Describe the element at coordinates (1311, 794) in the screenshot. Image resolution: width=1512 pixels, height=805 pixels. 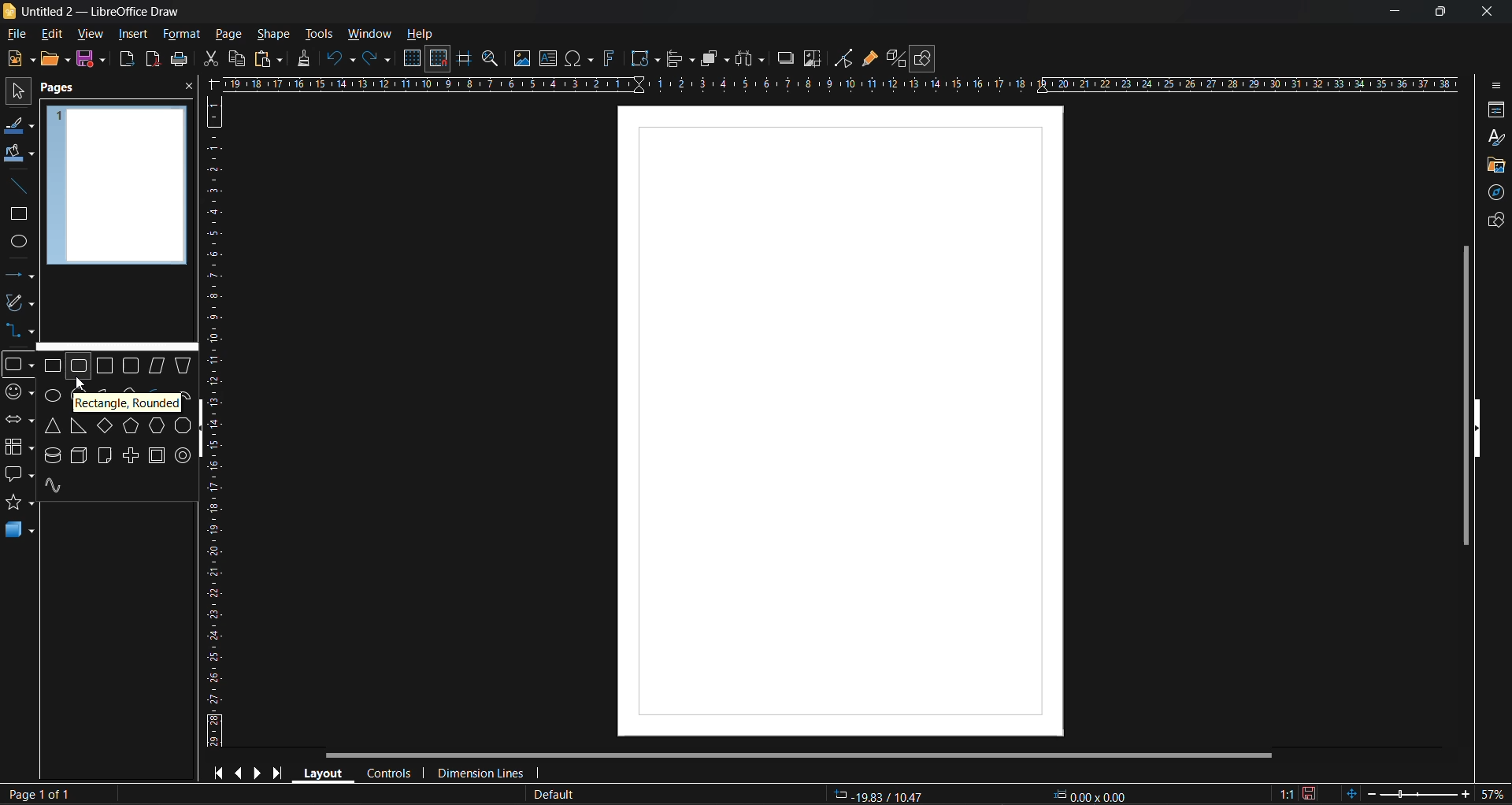
I see `click to save` at that location.